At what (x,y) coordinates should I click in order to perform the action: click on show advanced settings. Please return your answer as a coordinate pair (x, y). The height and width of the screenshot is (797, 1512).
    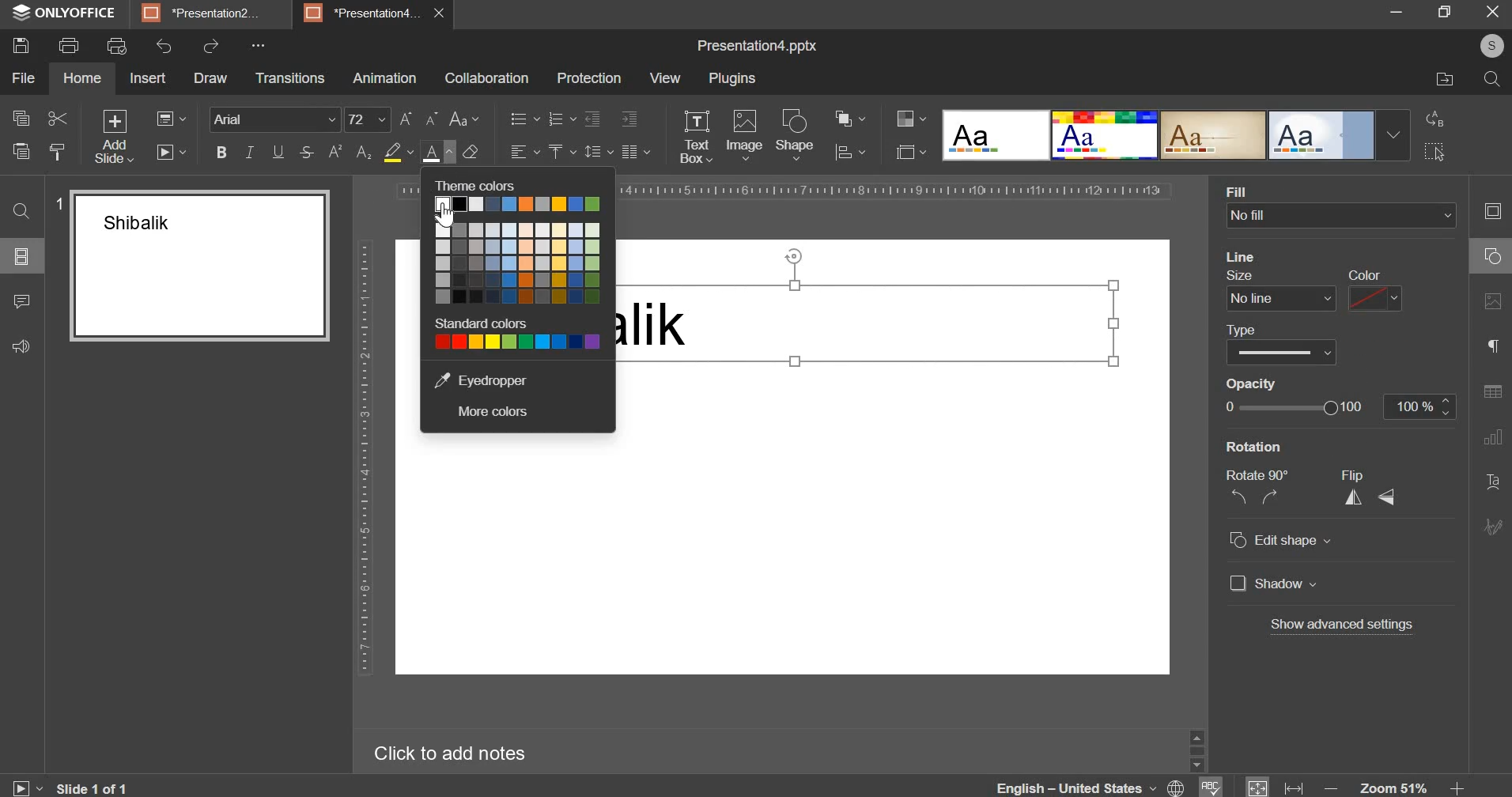
    Looking at the image, I should click on (1340, 625).